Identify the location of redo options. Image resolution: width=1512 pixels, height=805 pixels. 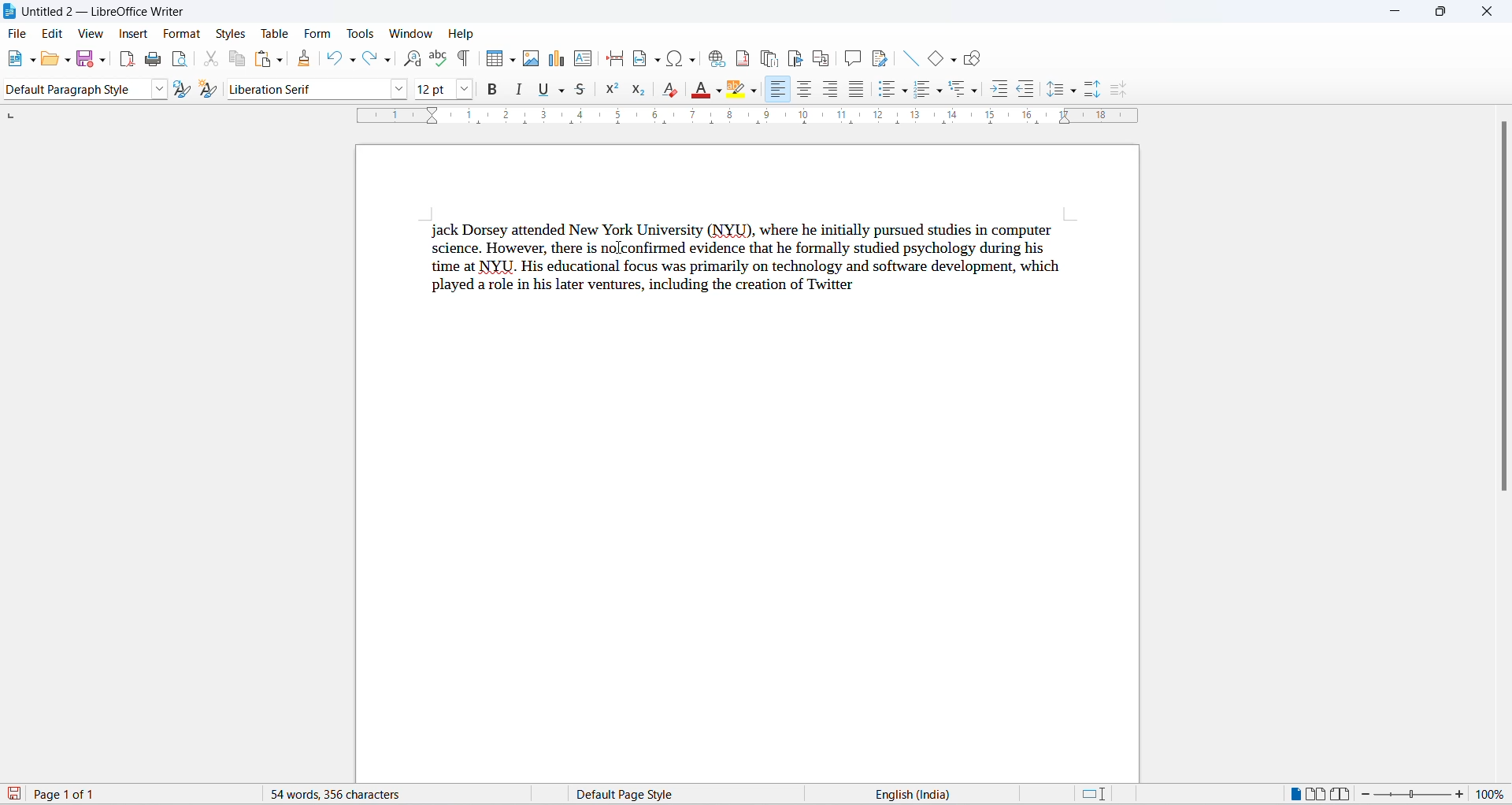
(389, 61).